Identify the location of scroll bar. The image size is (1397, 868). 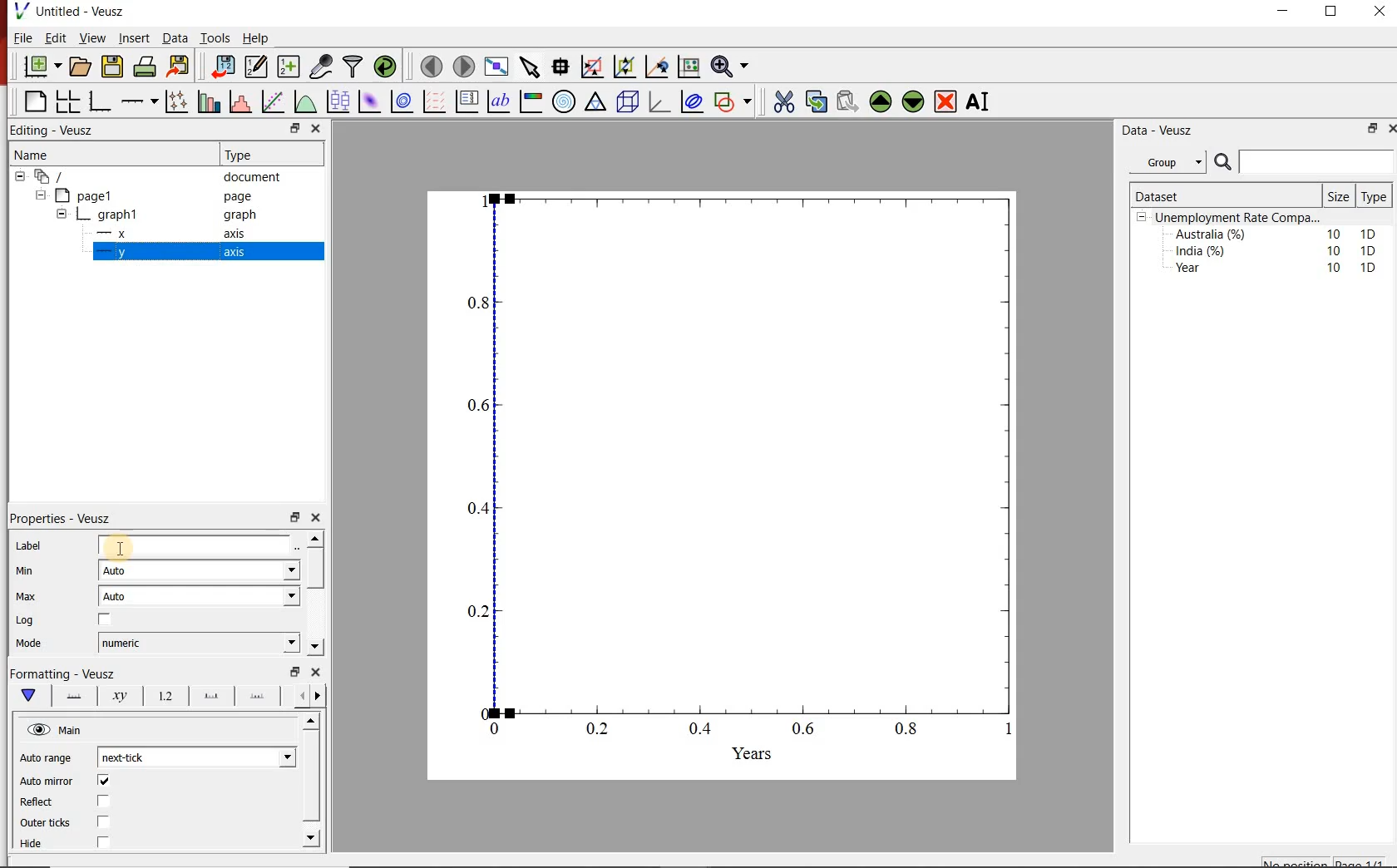
(312, 776).